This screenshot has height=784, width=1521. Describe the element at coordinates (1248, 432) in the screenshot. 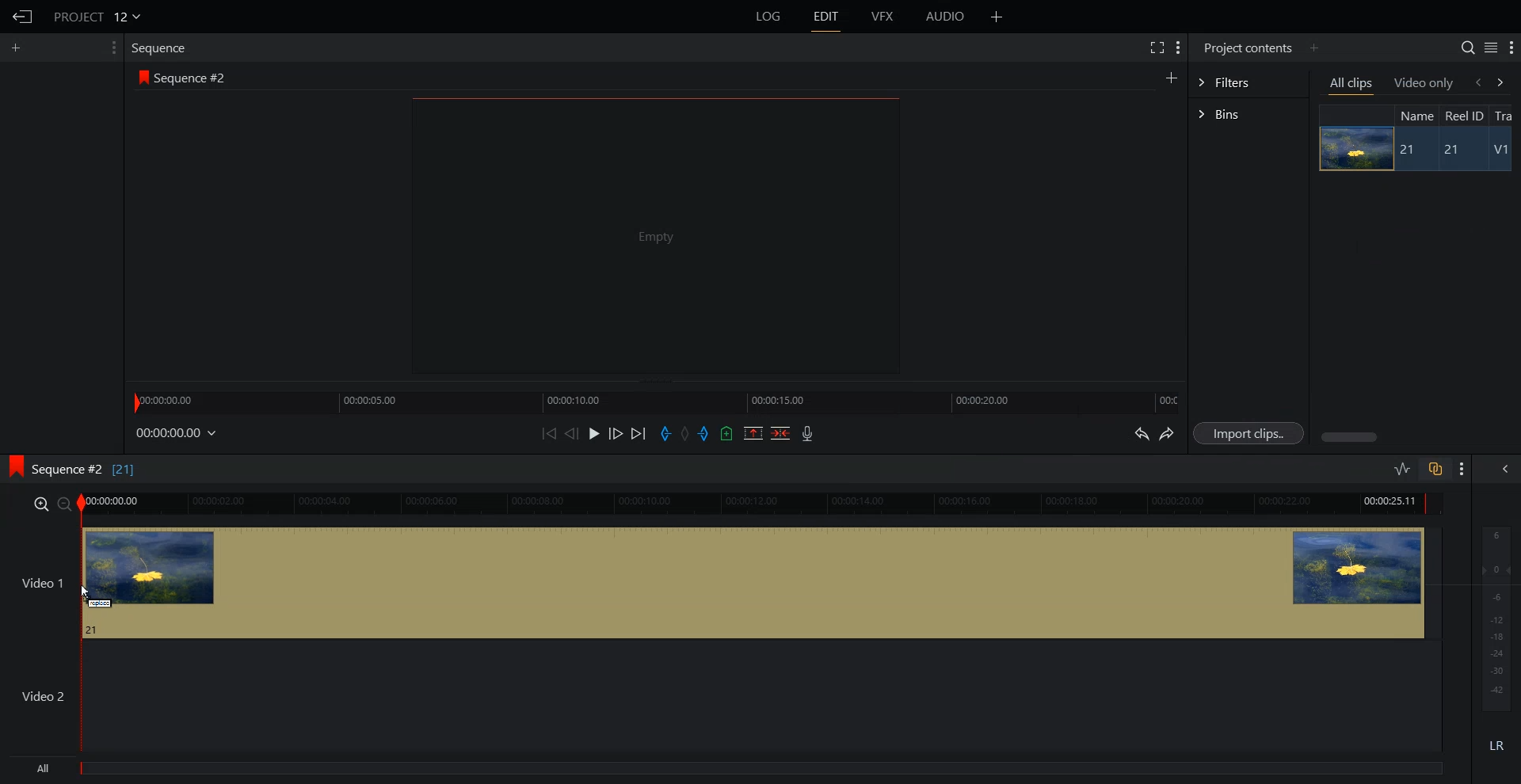

I see `Import clips` at that location.